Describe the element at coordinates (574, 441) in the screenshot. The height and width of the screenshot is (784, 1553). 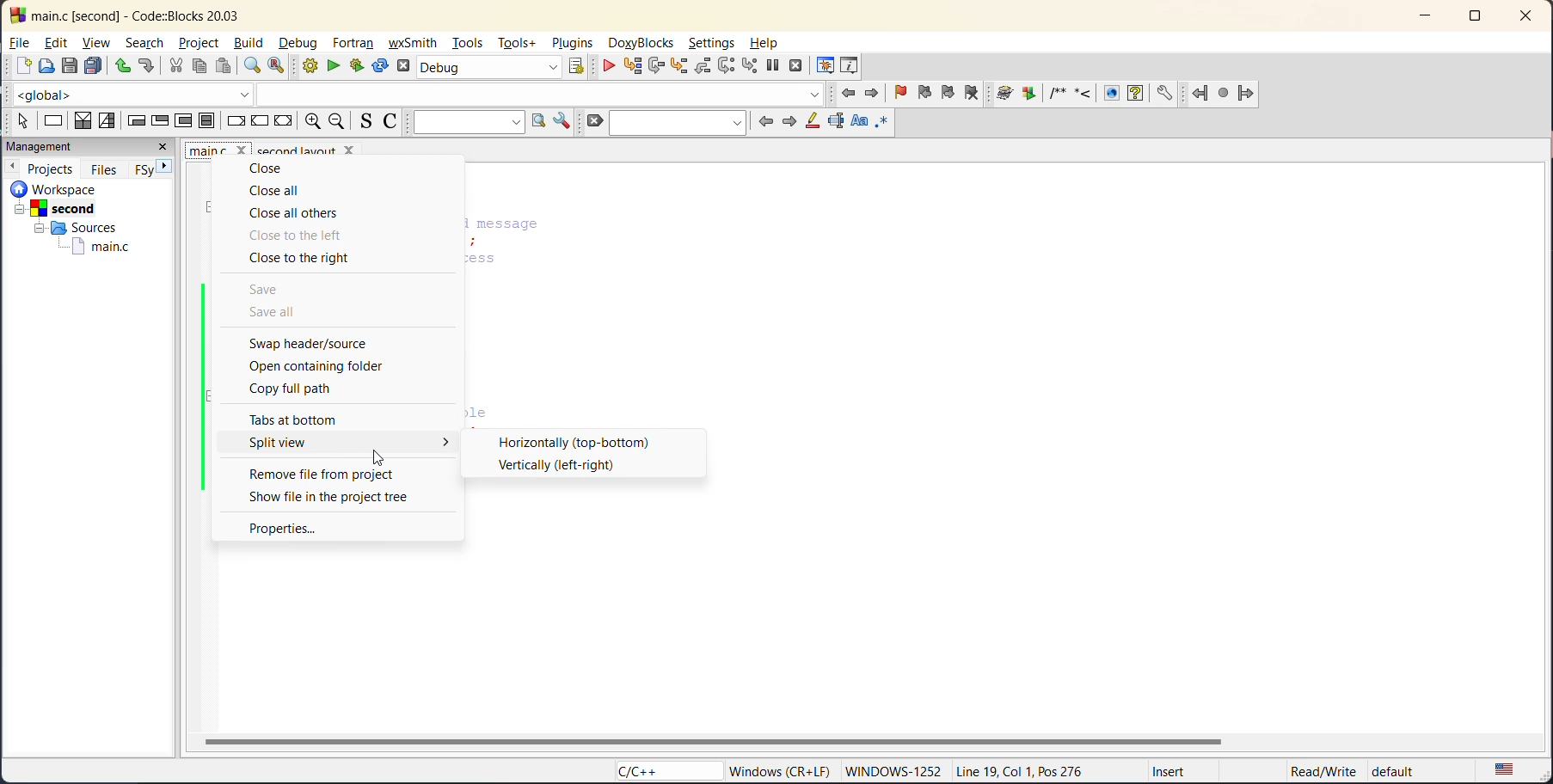
I see `horizontally` at that location.